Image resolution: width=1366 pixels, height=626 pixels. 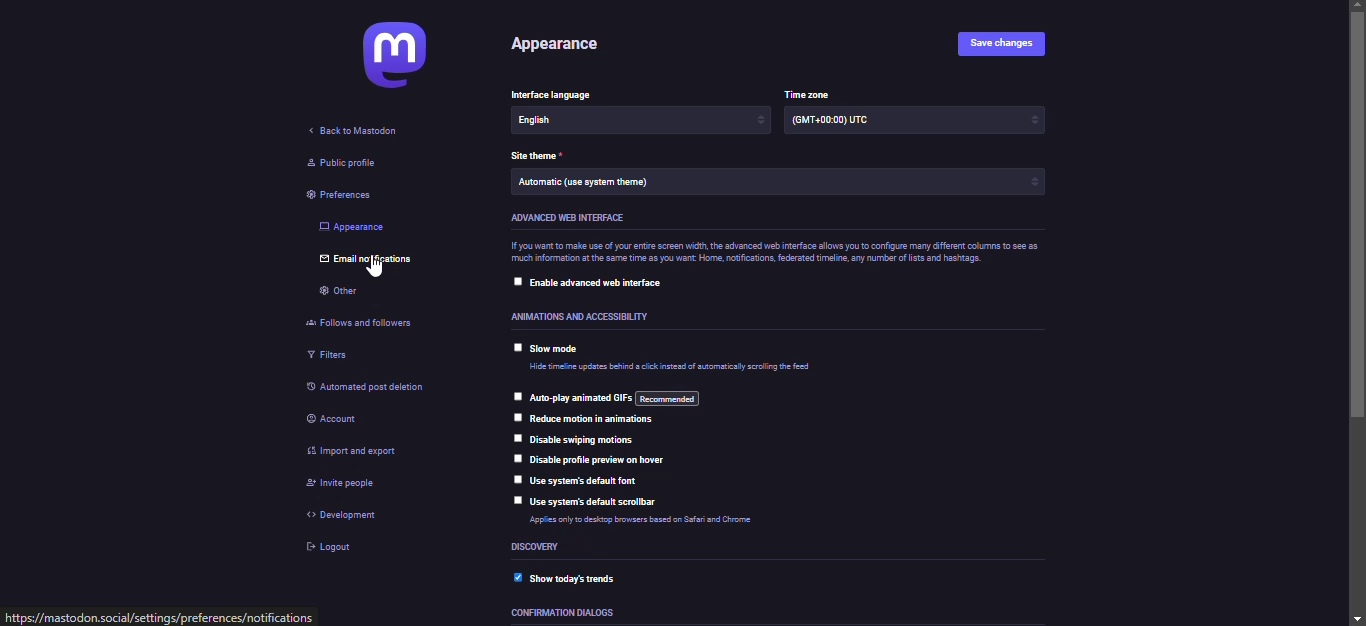 What do you see at coordinates (811, 93) in the screenshot?
I see `time zone` at bounding box center [811, 93].